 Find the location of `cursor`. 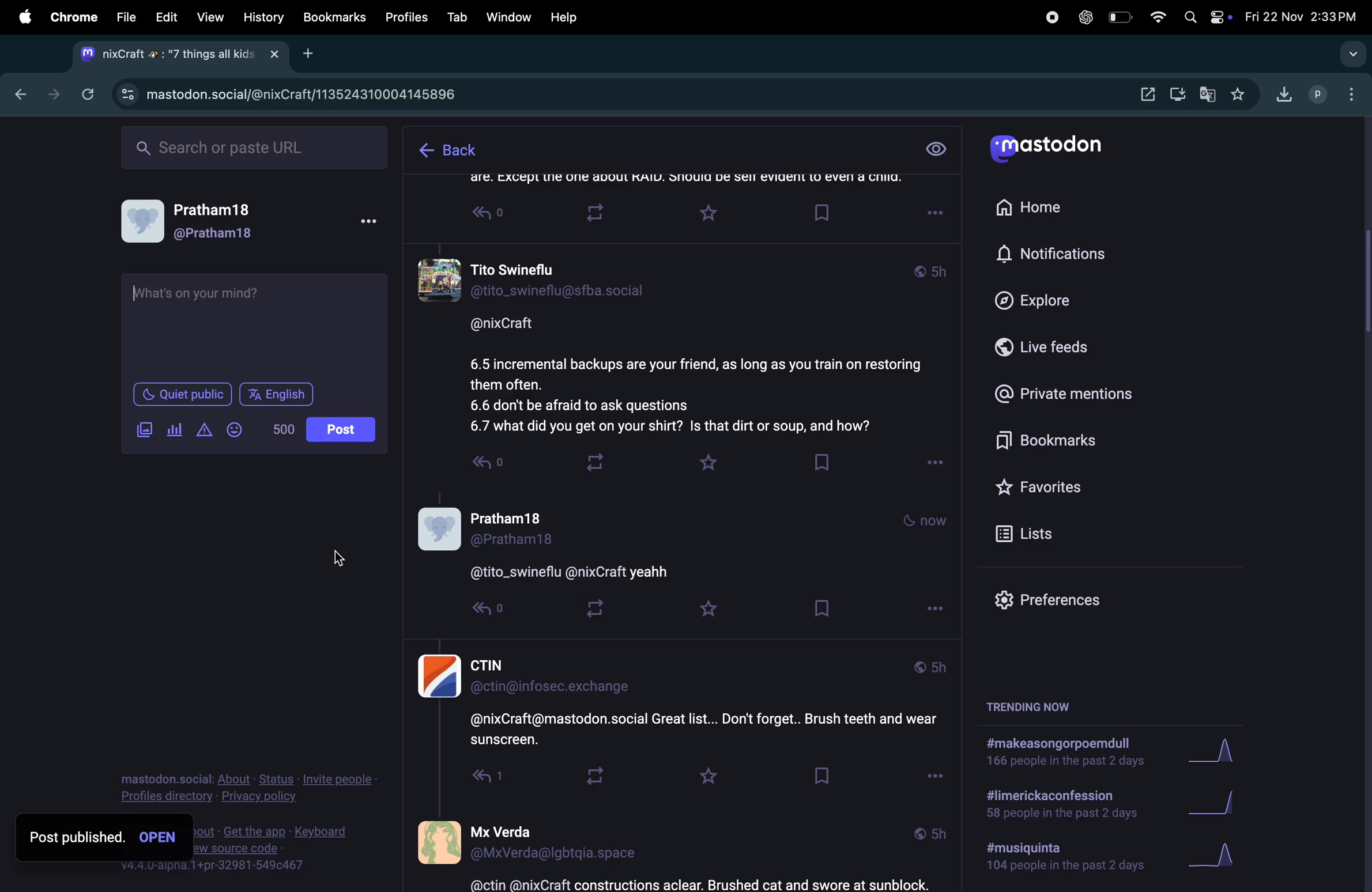

cursor is located at coordinates (338, 557).